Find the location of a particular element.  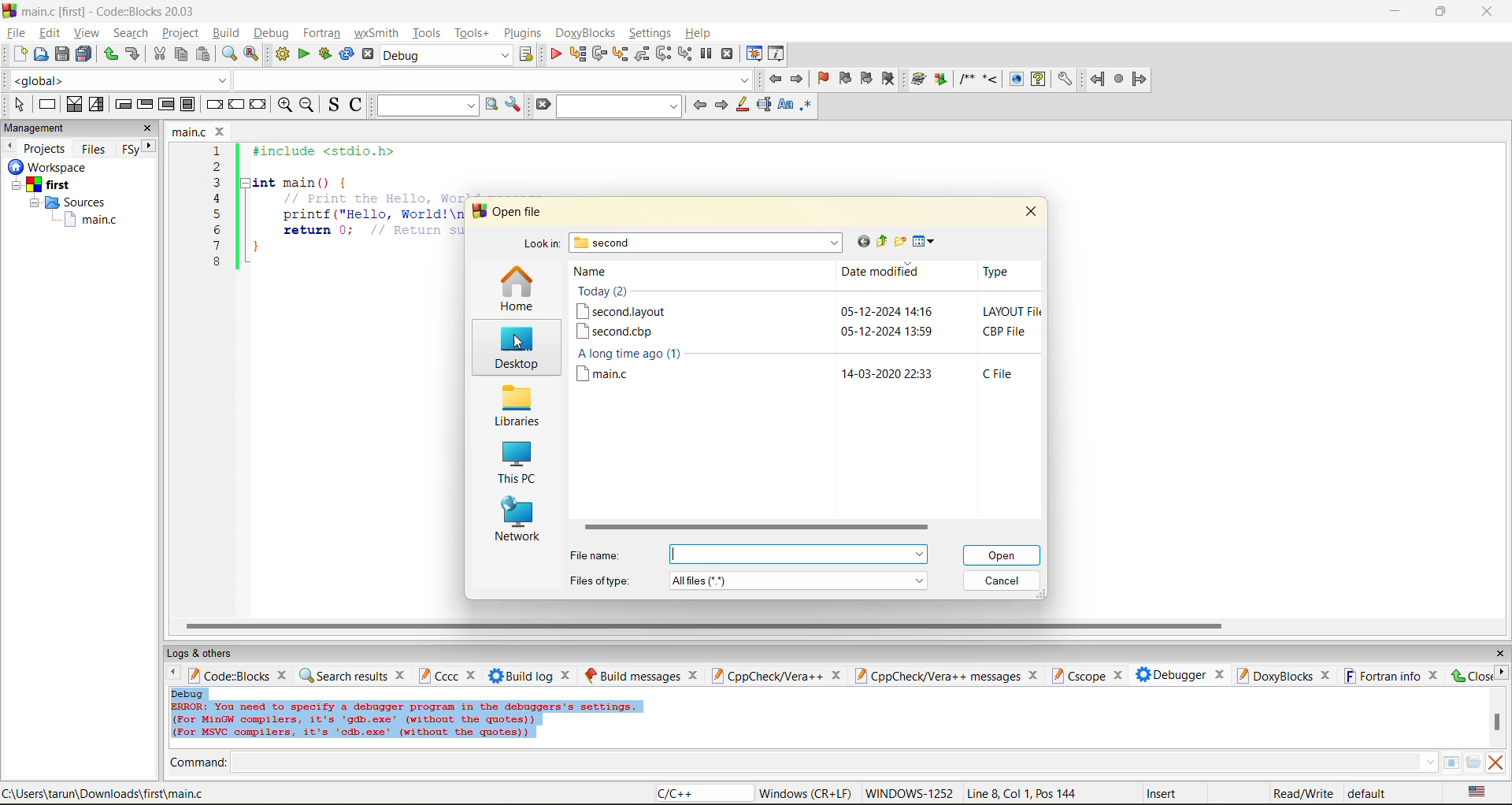

zoom in is located at coordinates (286, 106).